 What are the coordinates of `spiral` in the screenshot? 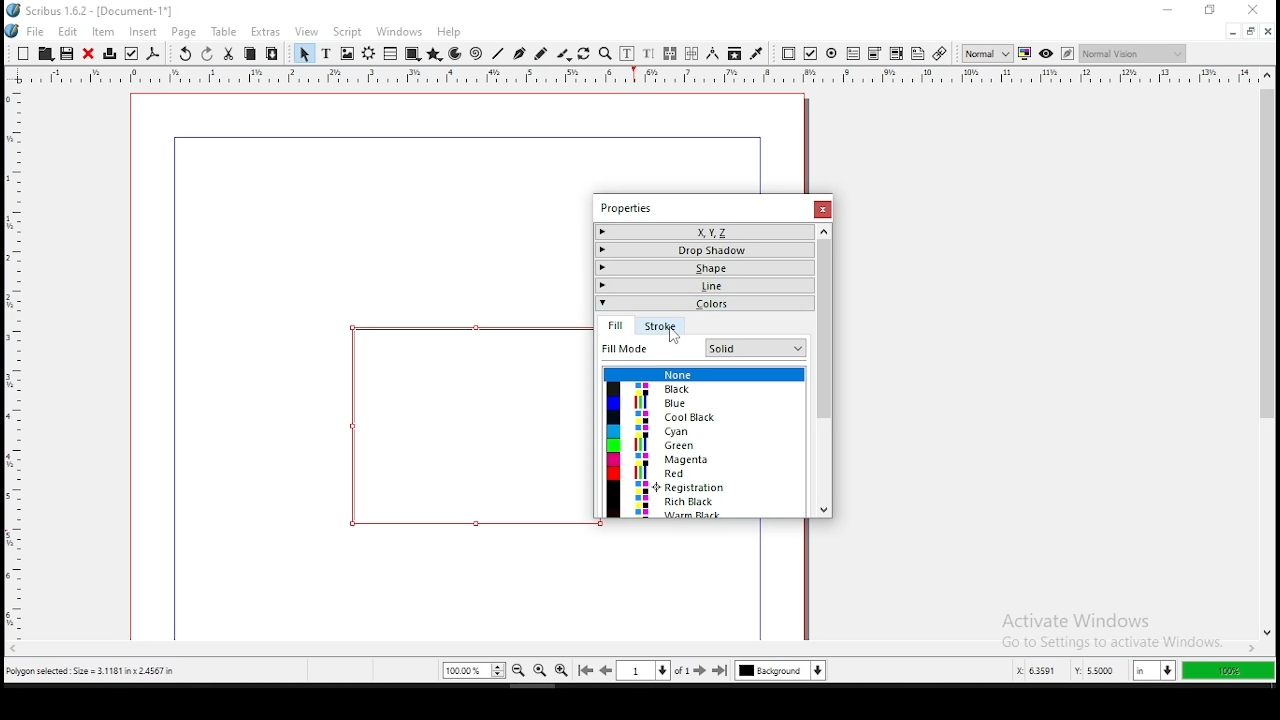 It's located at (476, 54).